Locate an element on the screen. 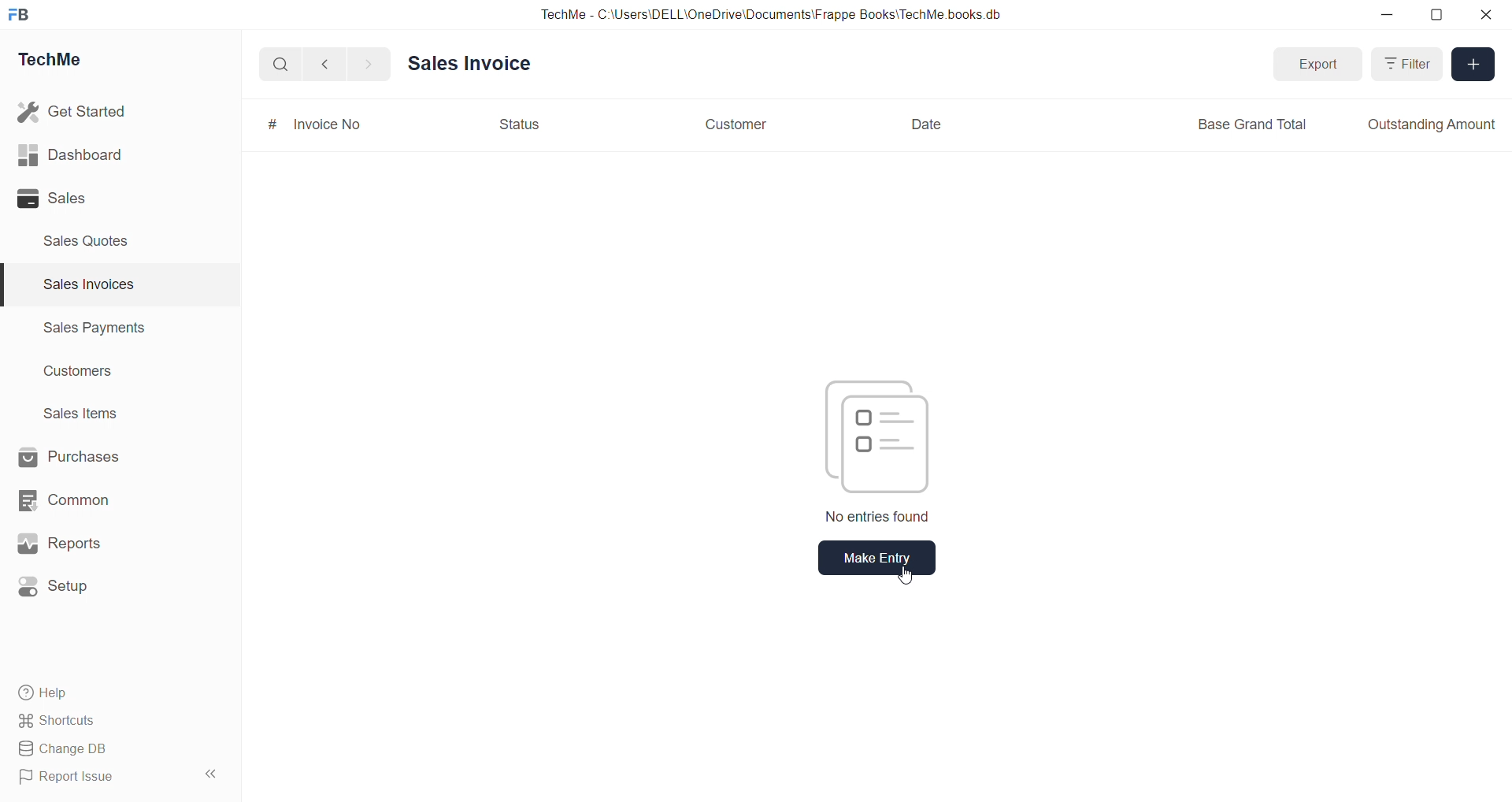 The height and width of the screenshot is (802, 1512). Sales items is located at coordinates (82, 413).